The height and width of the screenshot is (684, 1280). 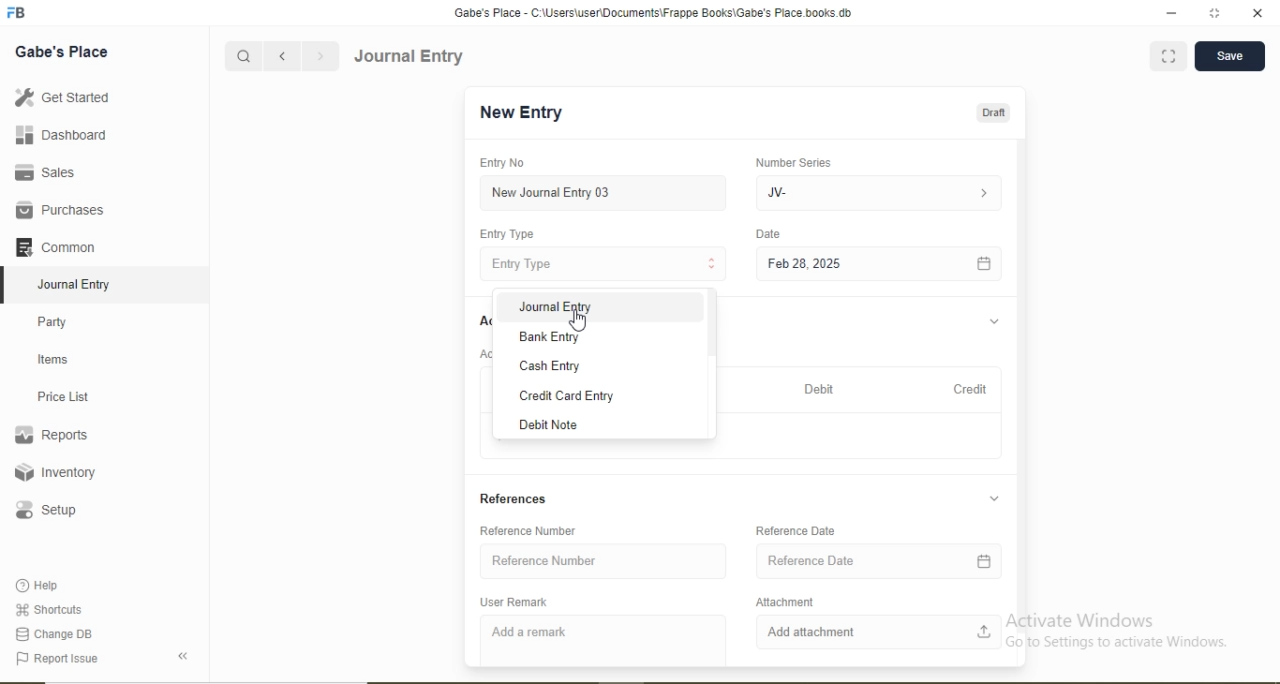 I want to click on Journal Entry, so click(x=556, y=307).